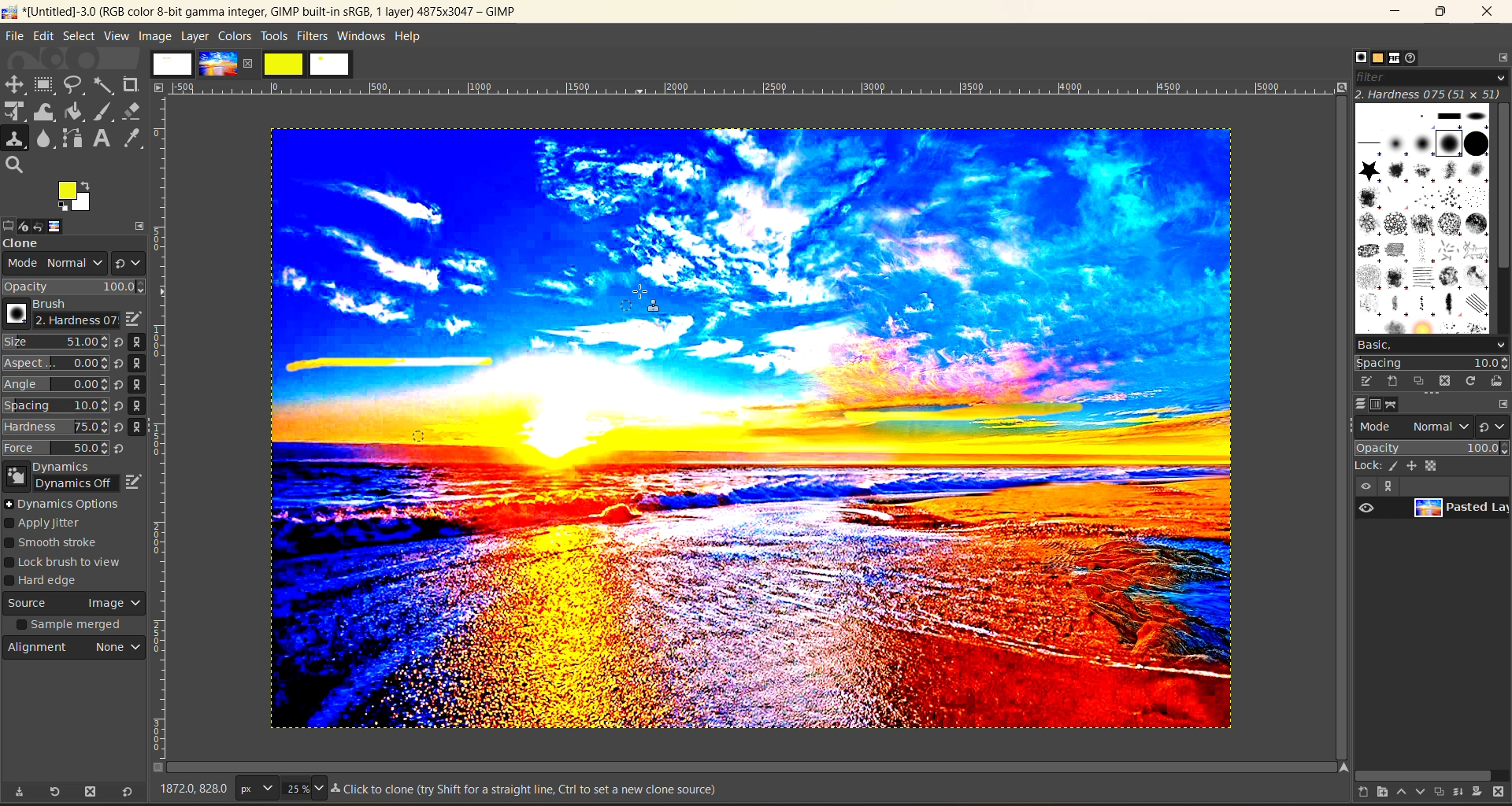 This screenshot has height=806, width=1512. What do you see at coordinates (1487, 14) in the screenshot?
I see `close` at bounding box center [1487, 14].